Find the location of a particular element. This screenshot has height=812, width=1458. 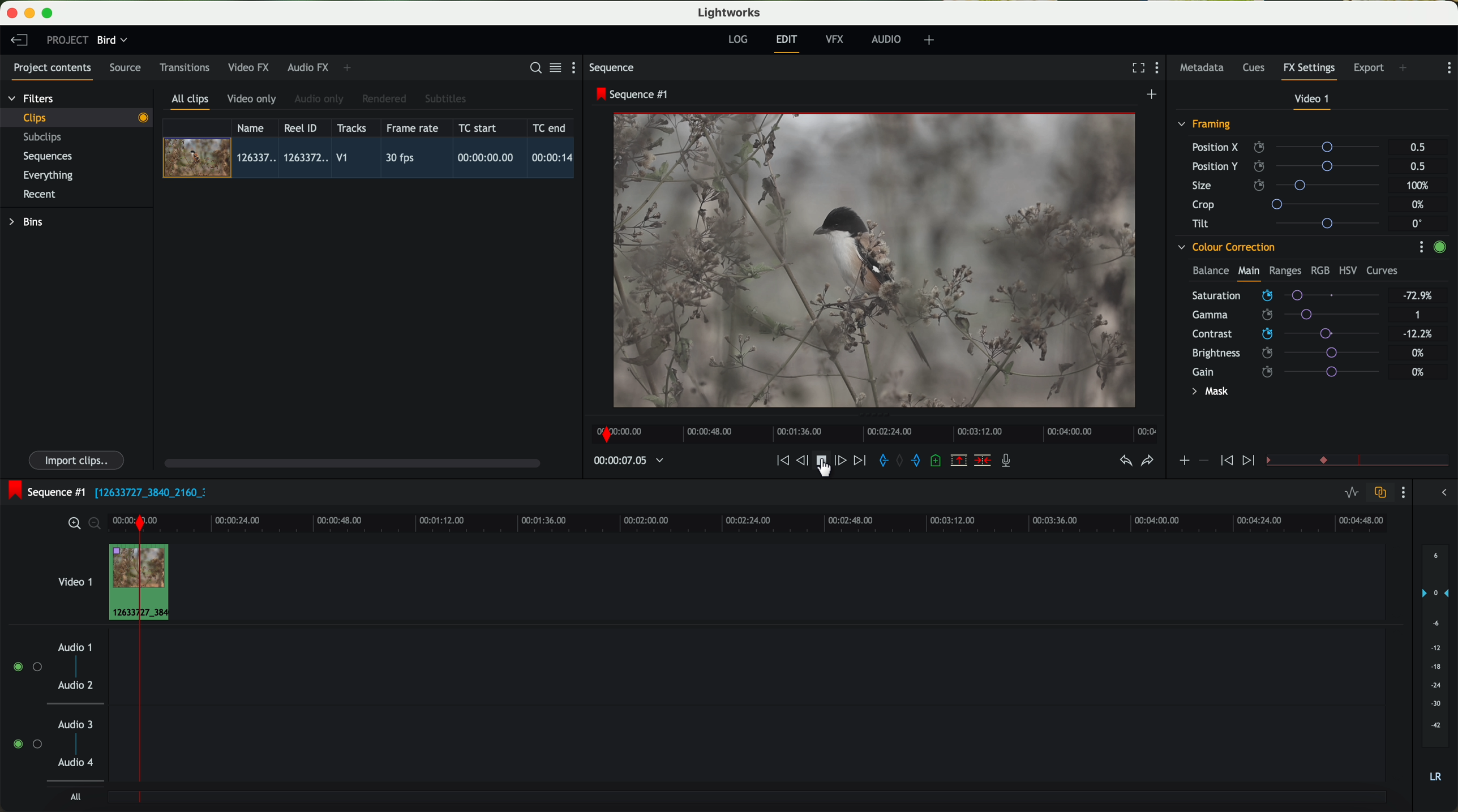

export is located at coordinates (1369, 69).